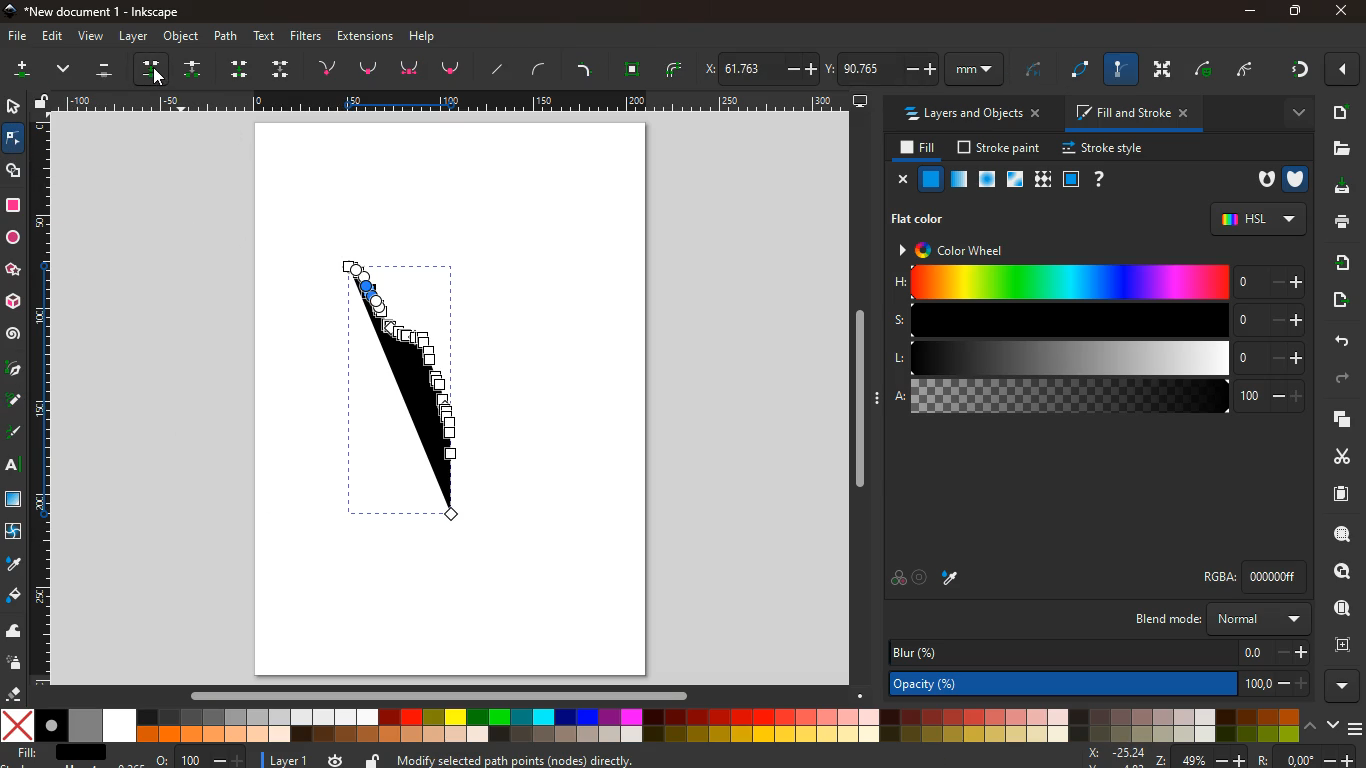  Describe the element at coordinates (1334, 456) in the screenshot. I see `cut` at that location.